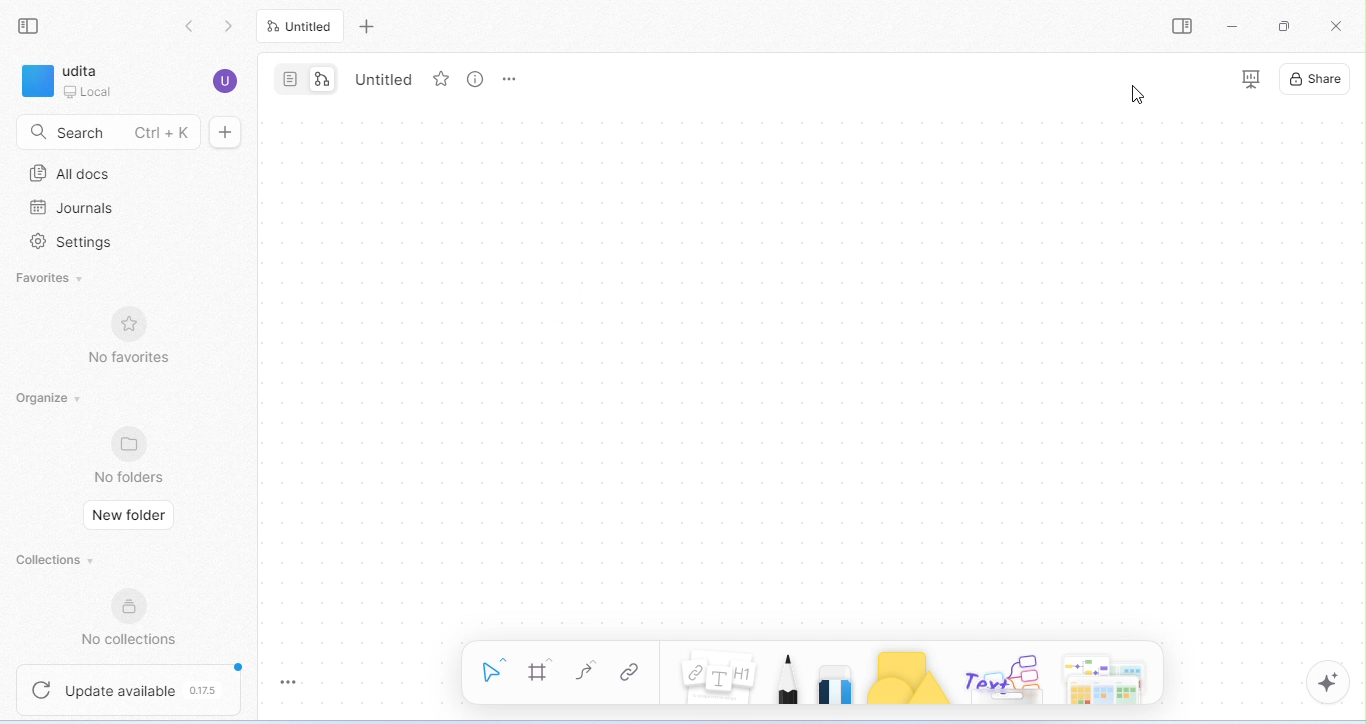 The width and height of the screenshot is (1366, 724). I want to click on AI assistant, so click(1320, 683).